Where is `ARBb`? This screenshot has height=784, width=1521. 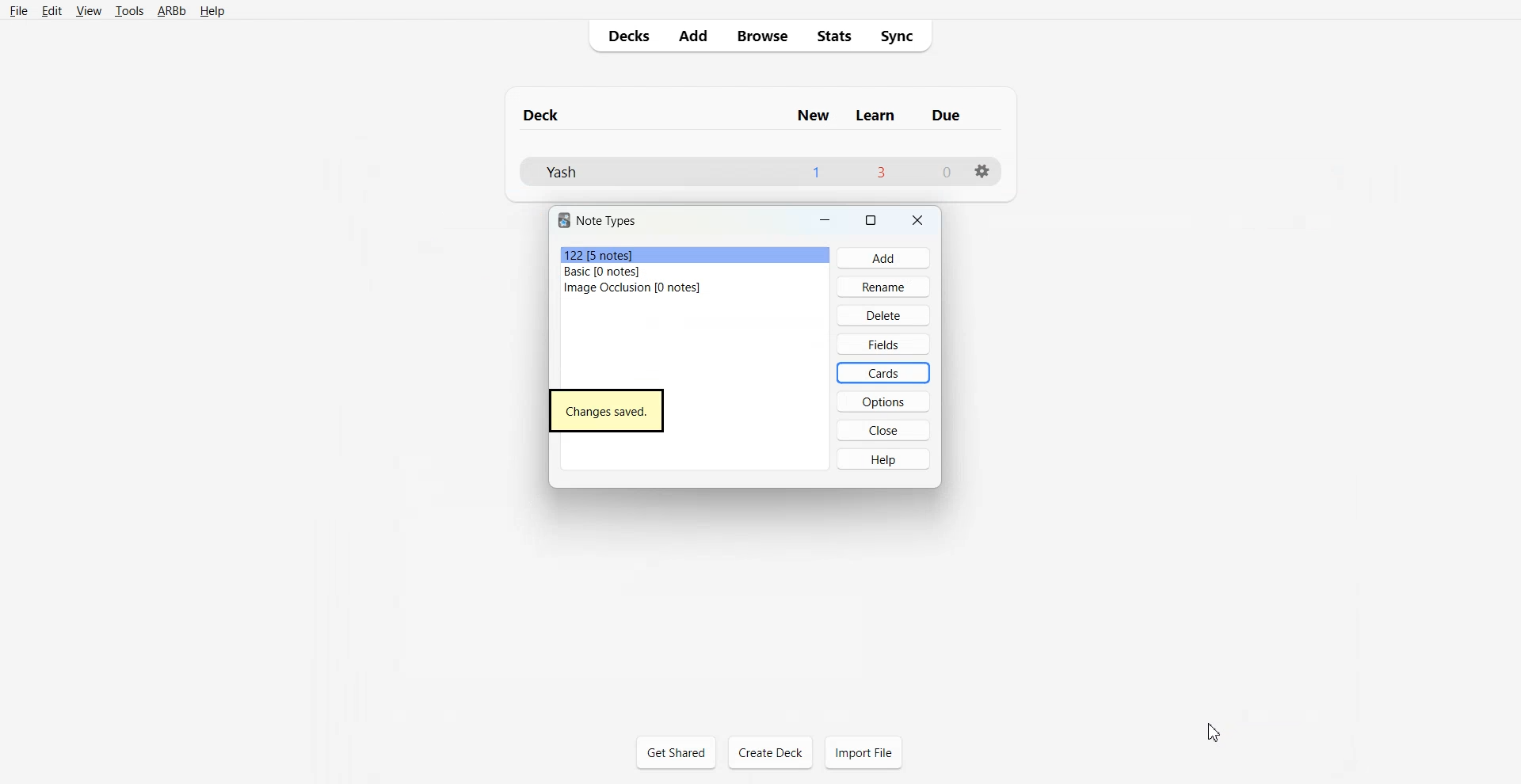 ARBb is located at coordinates (171, 12).